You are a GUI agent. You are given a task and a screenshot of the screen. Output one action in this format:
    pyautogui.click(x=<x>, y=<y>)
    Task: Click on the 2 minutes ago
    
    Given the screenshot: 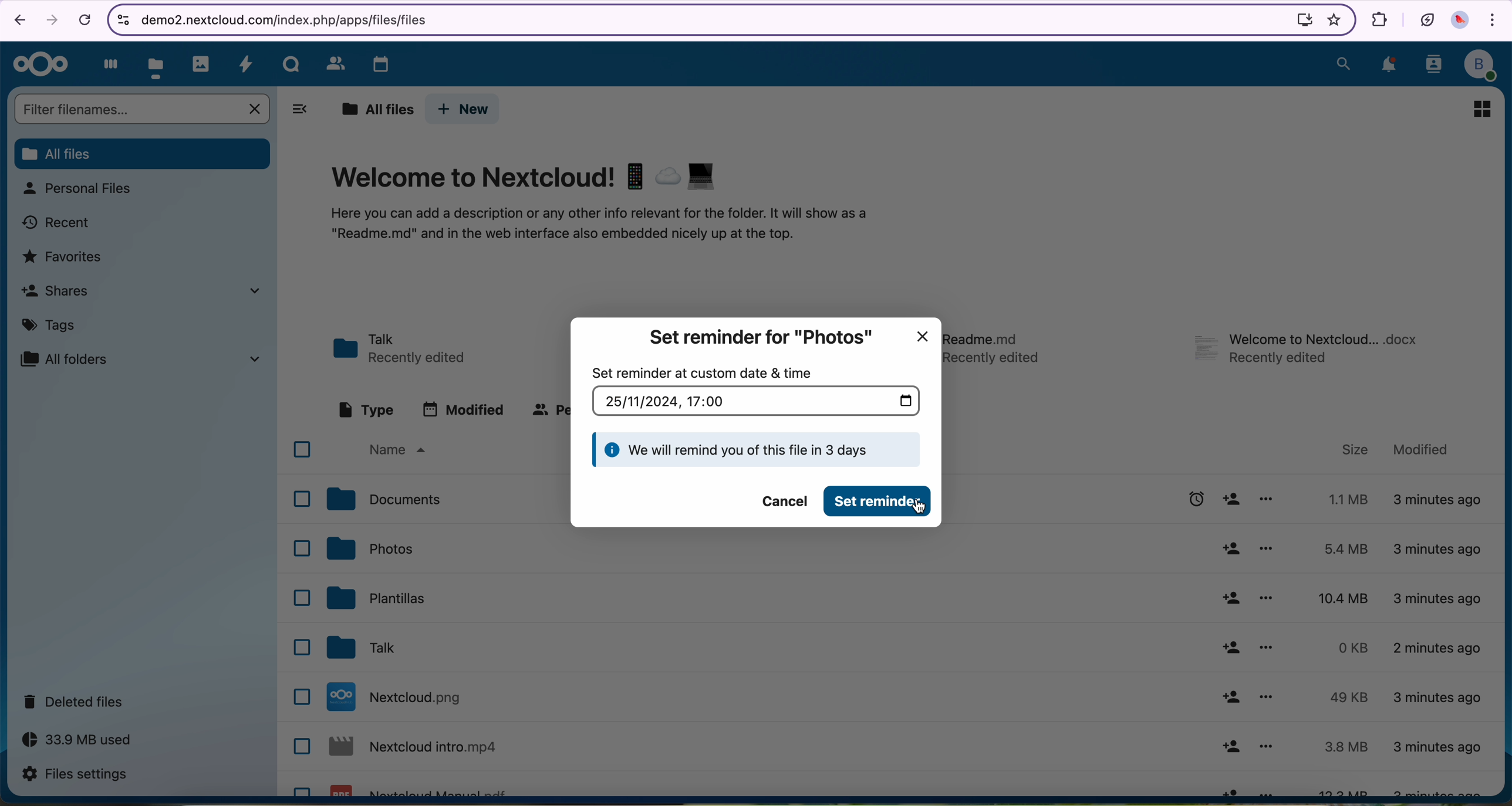 What is the action you would take?
    pyautogui.click(x=1438, y=652)
    